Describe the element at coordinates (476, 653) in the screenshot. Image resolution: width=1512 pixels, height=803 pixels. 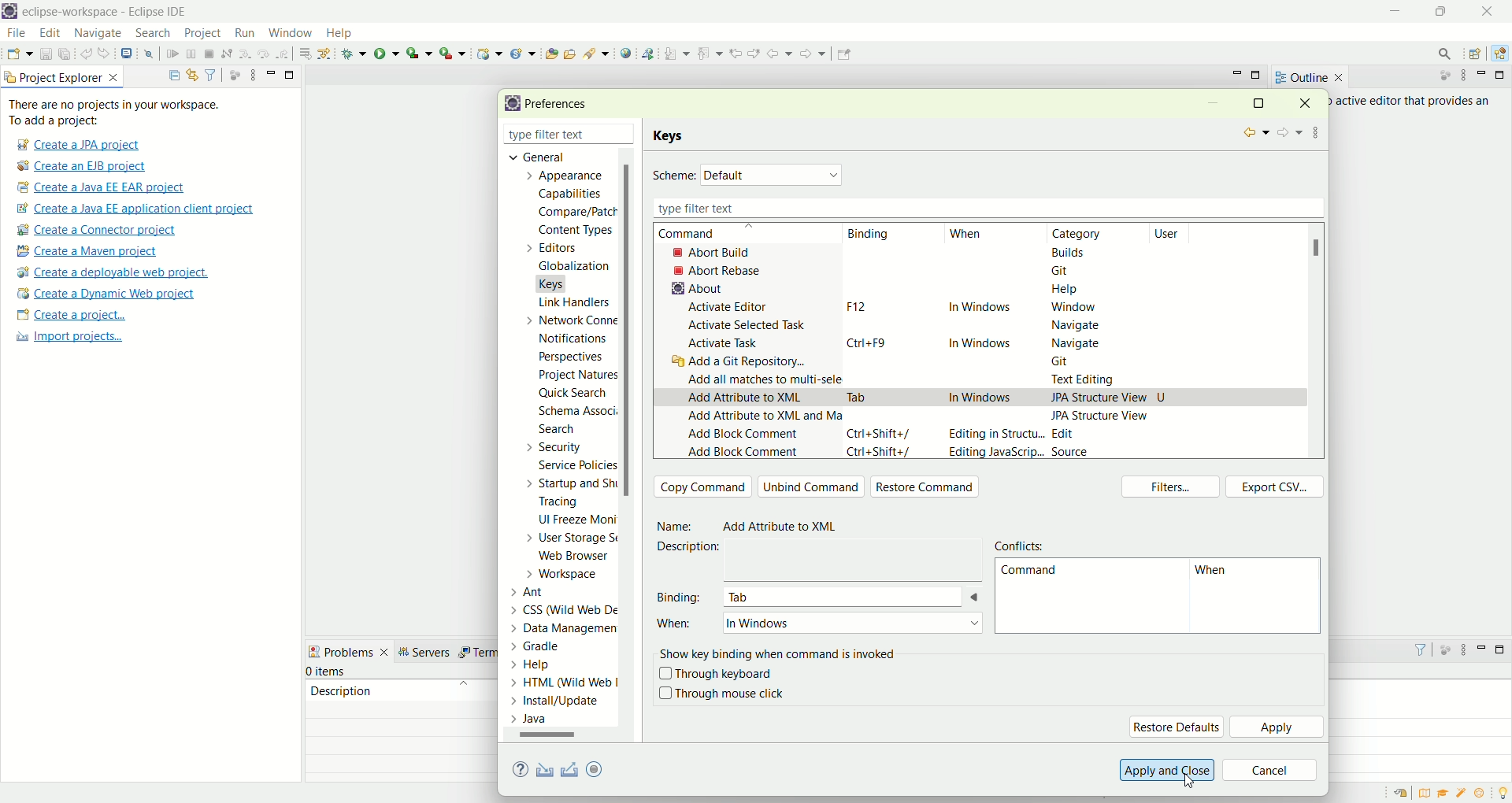
I see `term` at that location.